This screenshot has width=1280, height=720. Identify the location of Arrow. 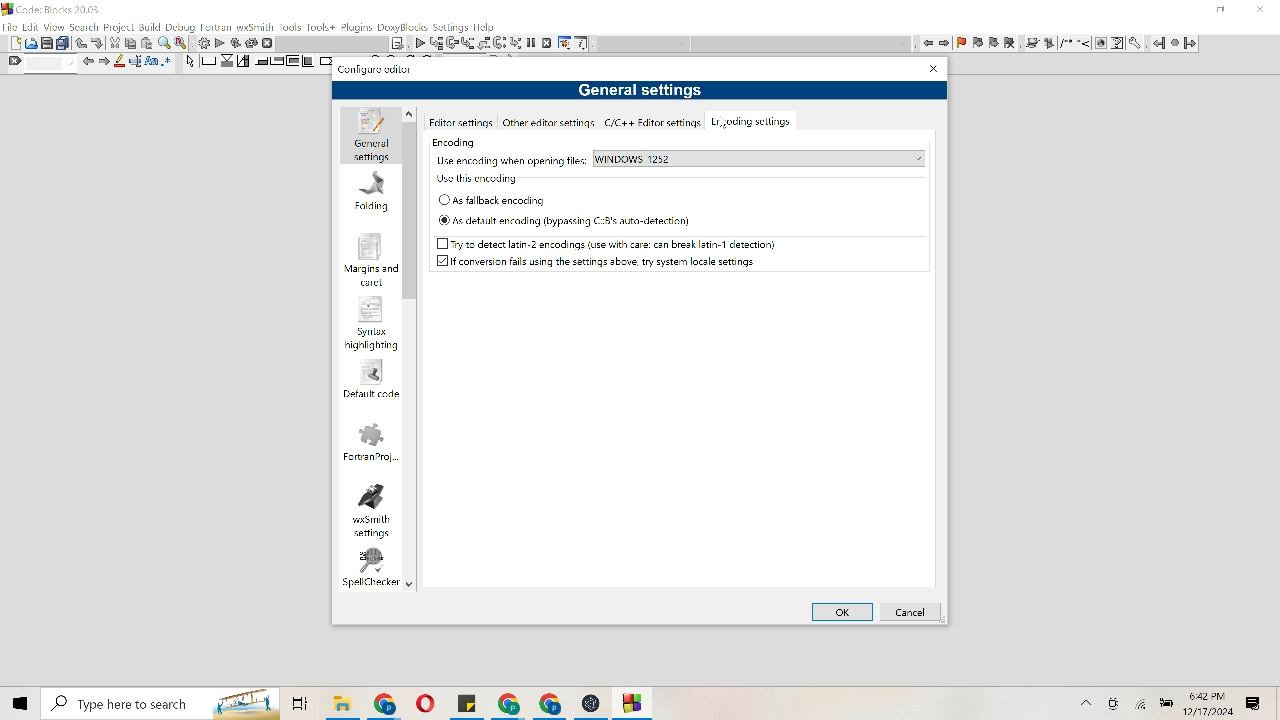
(189, 63).